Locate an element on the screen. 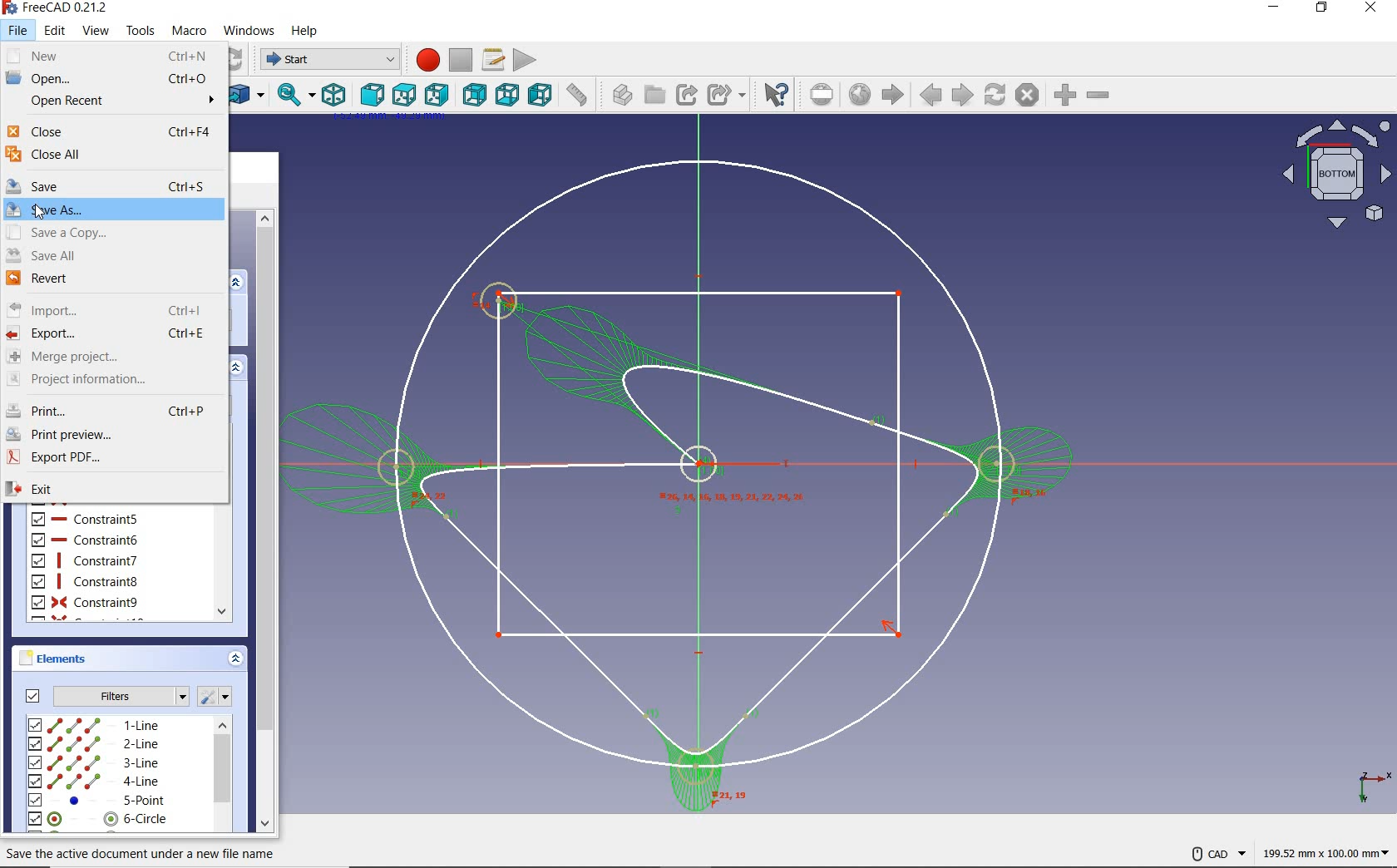 The image size is (1397, 868). scrollbar is located at coordinates (265, 519).